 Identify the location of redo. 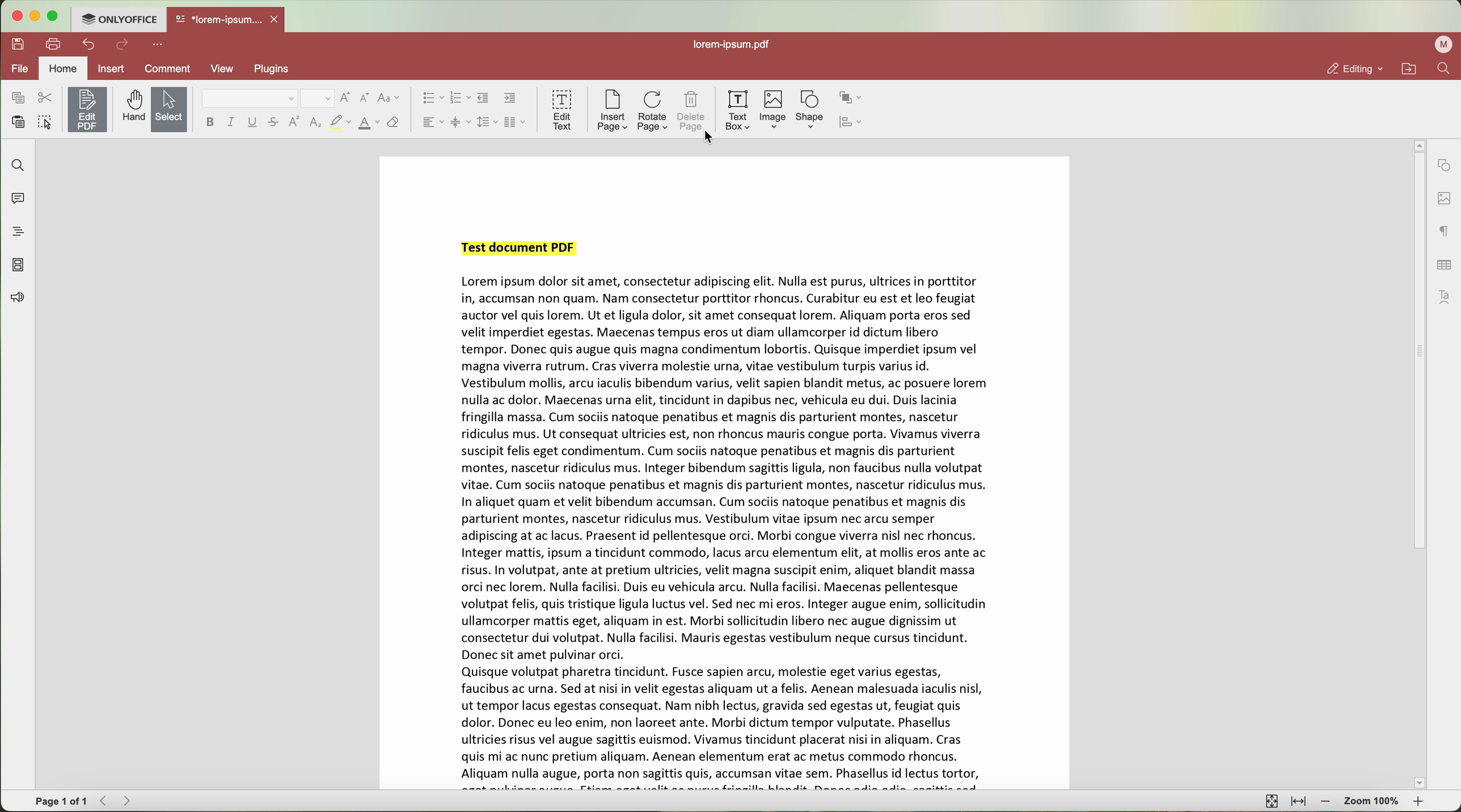
(123, 45).